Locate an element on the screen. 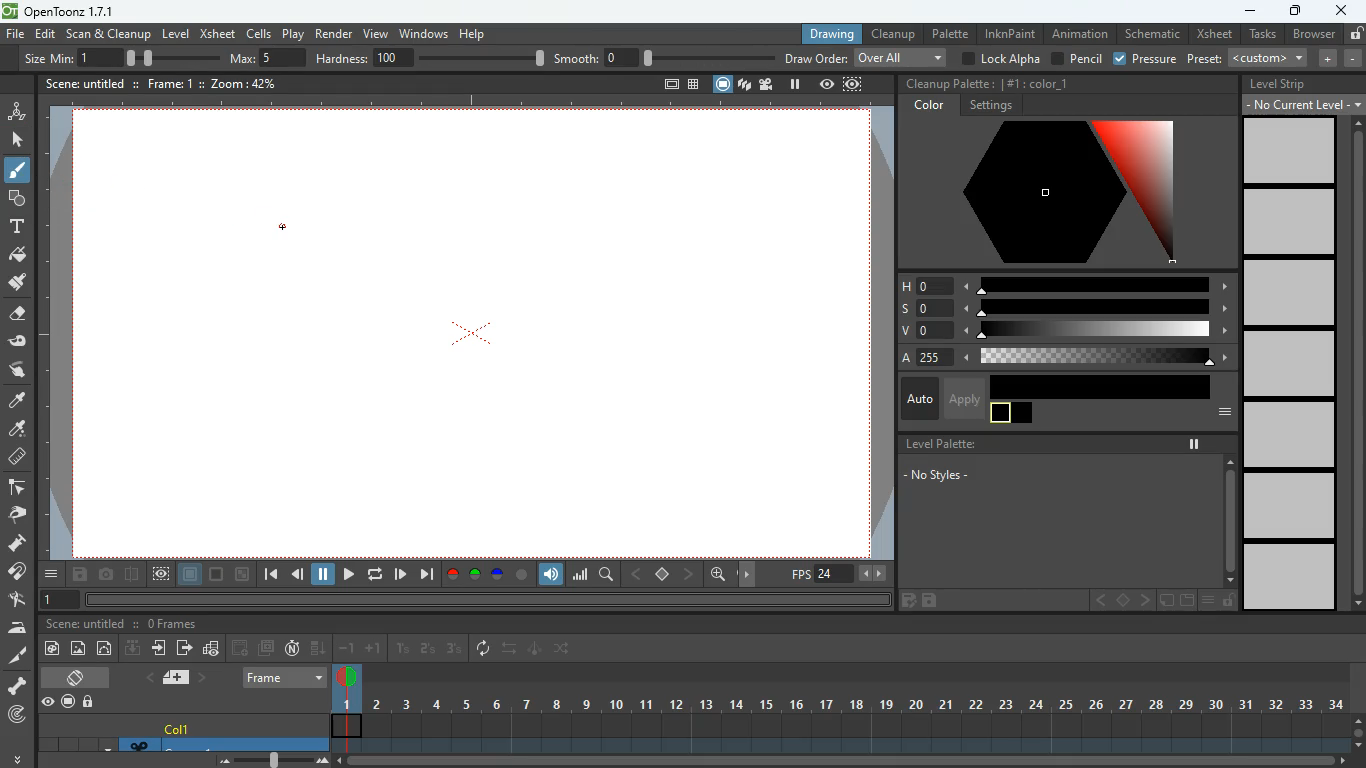  n is located at coordinates (292, 648).